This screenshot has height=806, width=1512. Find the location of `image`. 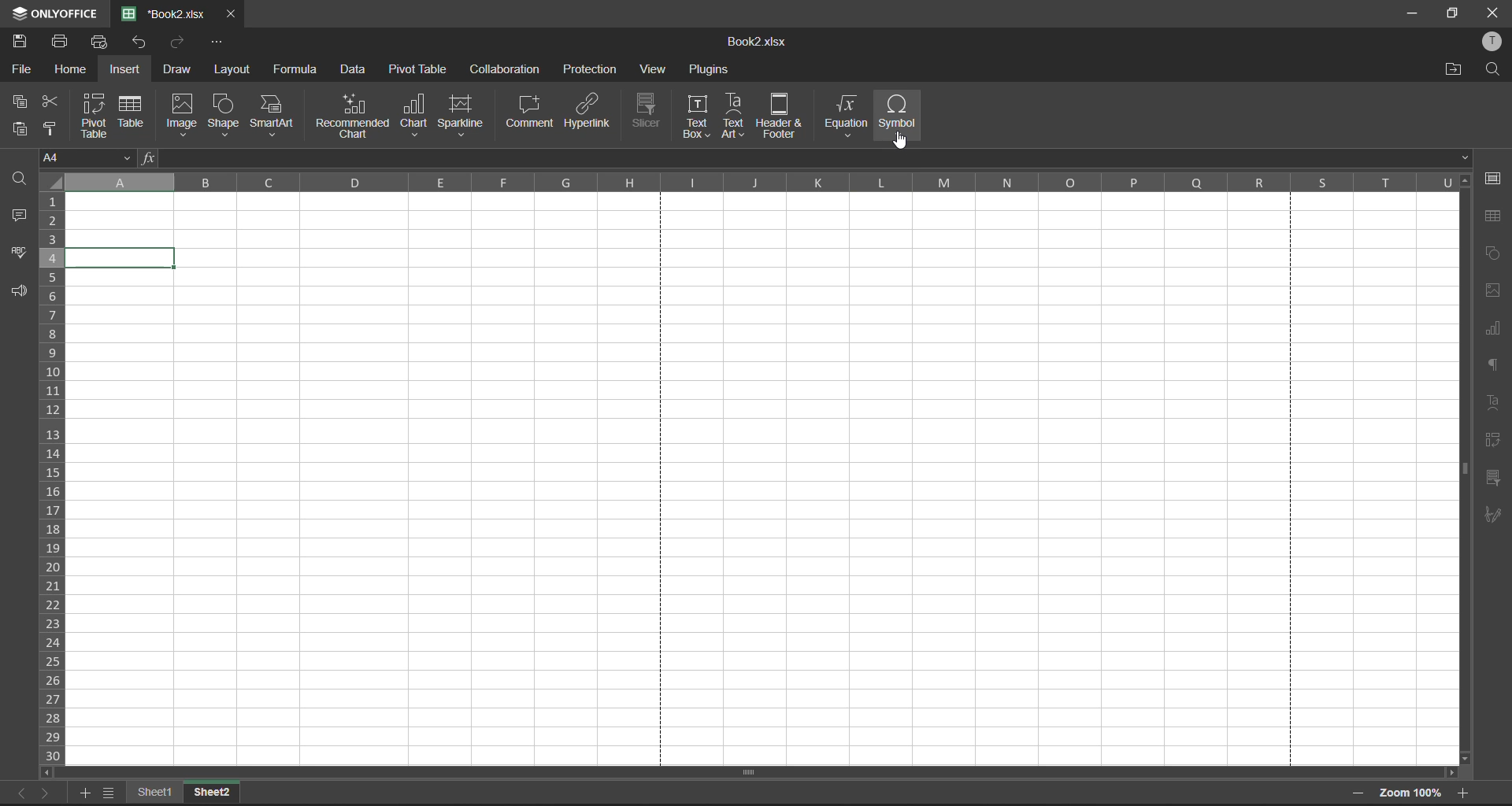

image is located at coordinates (183, 115).